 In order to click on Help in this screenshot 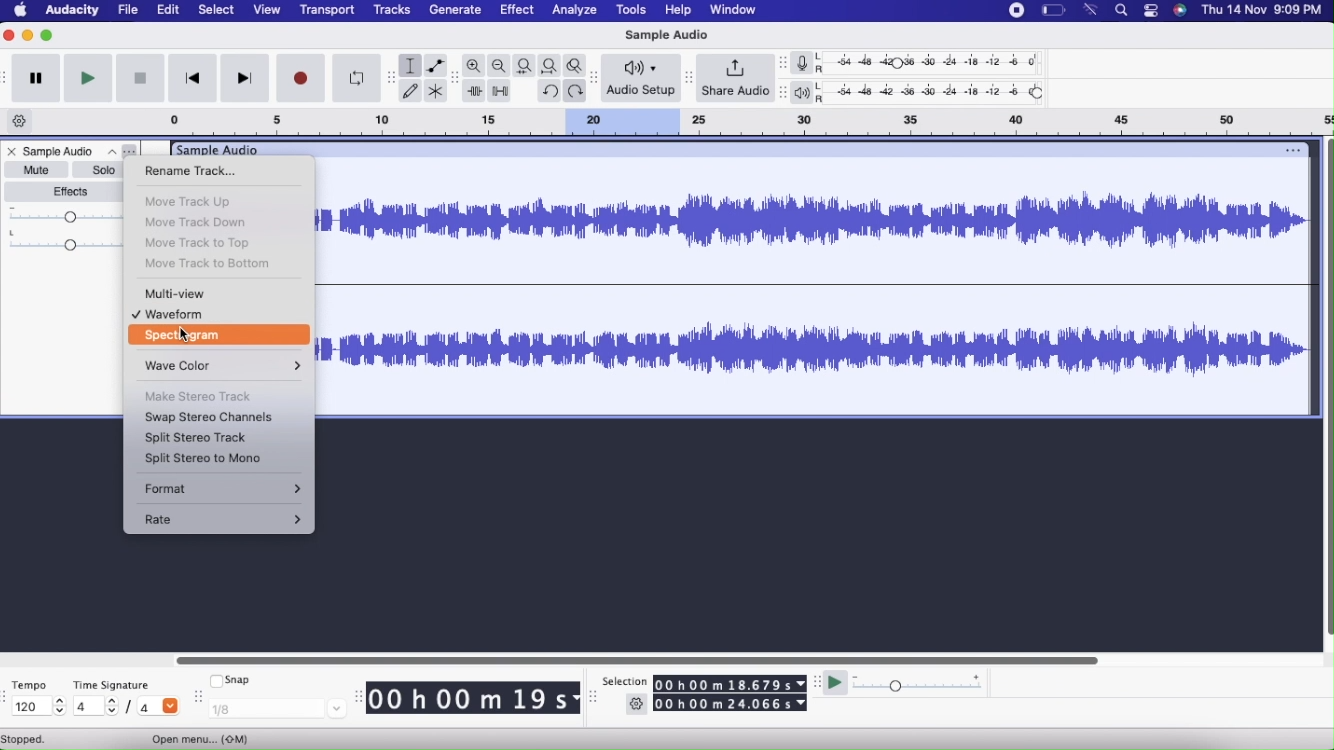, I will do `click(679, 10)`.